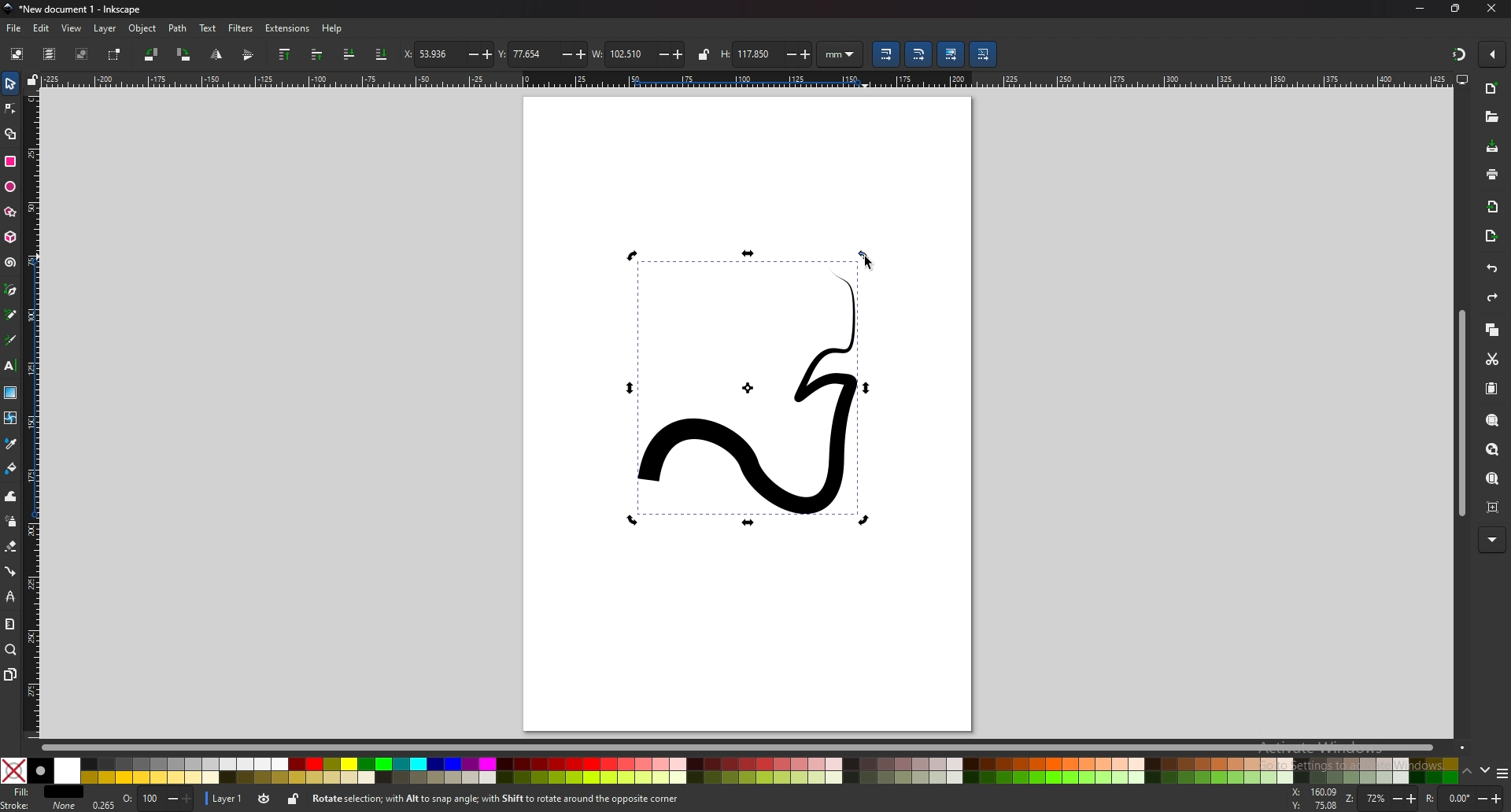 The height and width of the screenshot is (812, 1511). I want to click on rectangle, so click(10, 161).